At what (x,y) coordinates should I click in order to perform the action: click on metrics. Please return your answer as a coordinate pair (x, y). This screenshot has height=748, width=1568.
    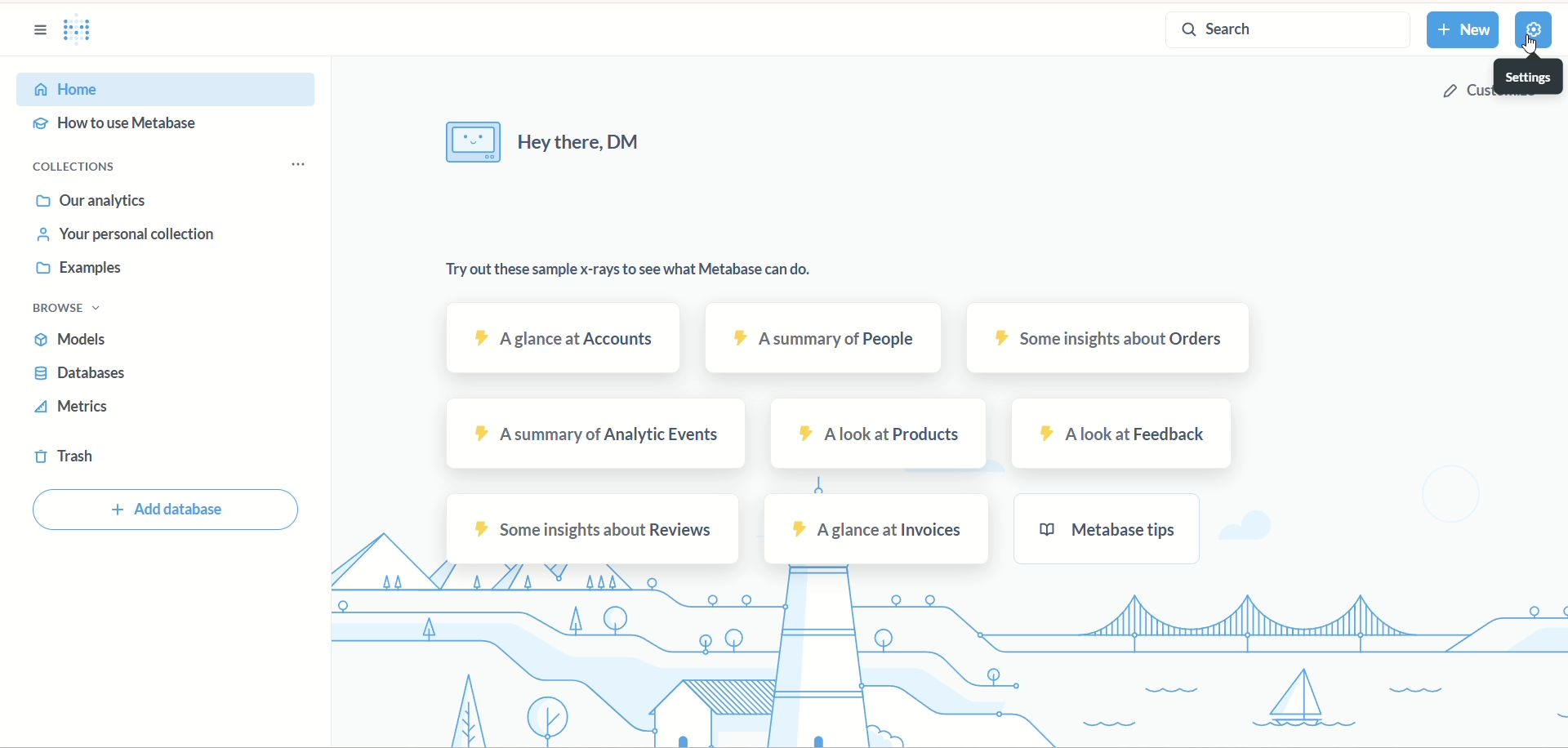
    Looking at the image, I should click on (72, 409).